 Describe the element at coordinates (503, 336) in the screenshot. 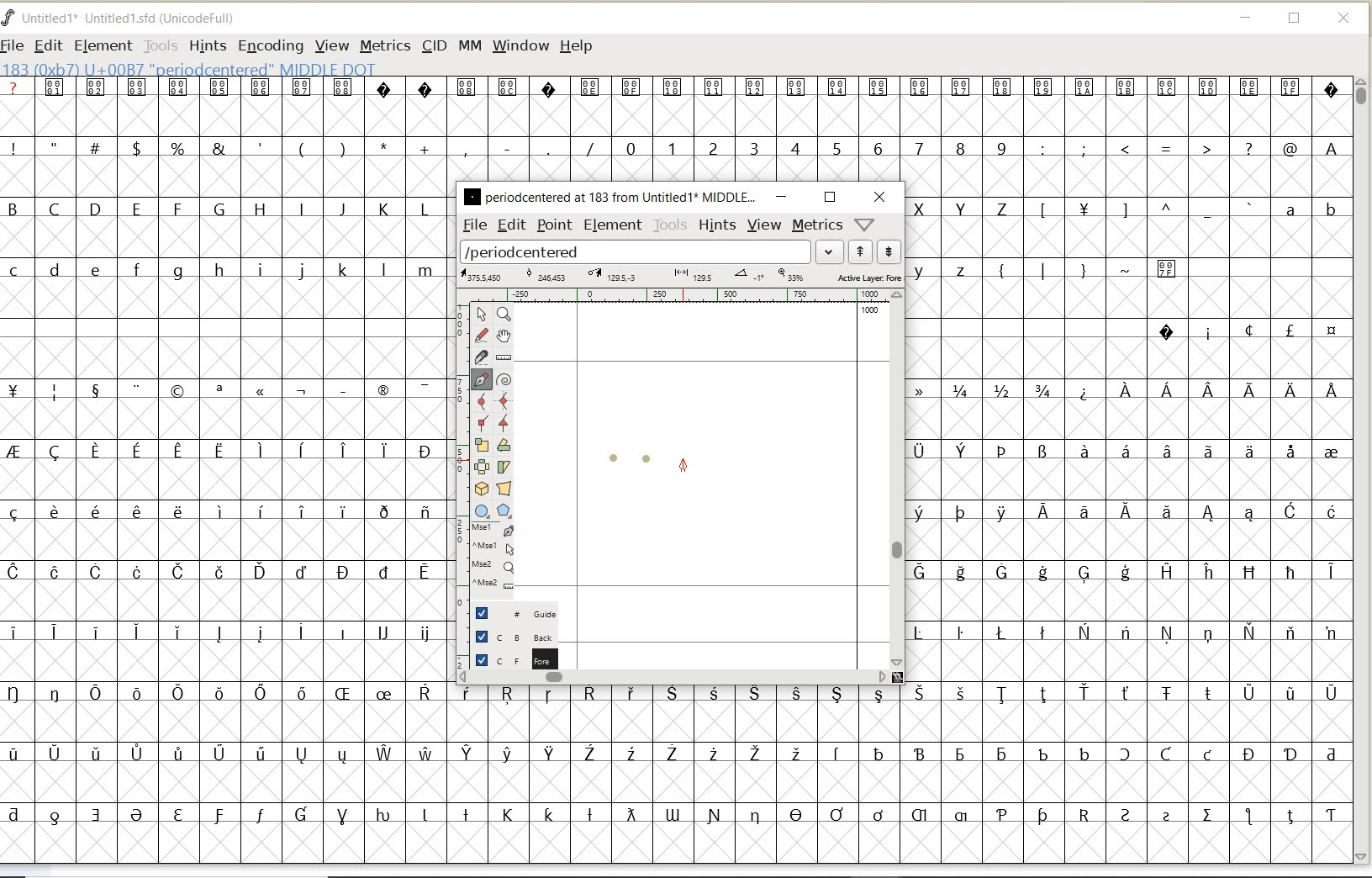

I see `scroll by hand` at that location.